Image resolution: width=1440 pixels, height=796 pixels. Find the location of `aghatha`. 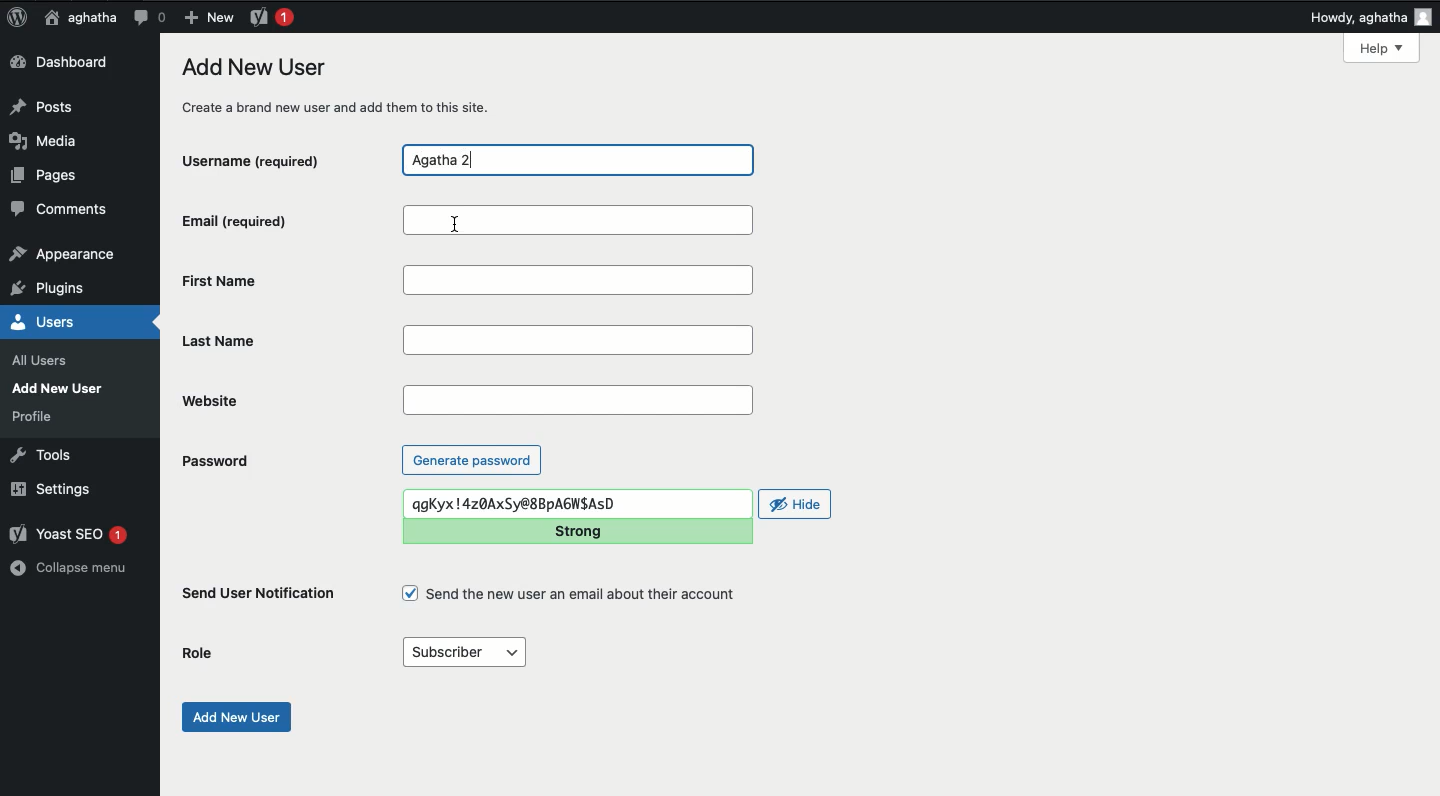

aghatha is located at coordinates (77, 17).